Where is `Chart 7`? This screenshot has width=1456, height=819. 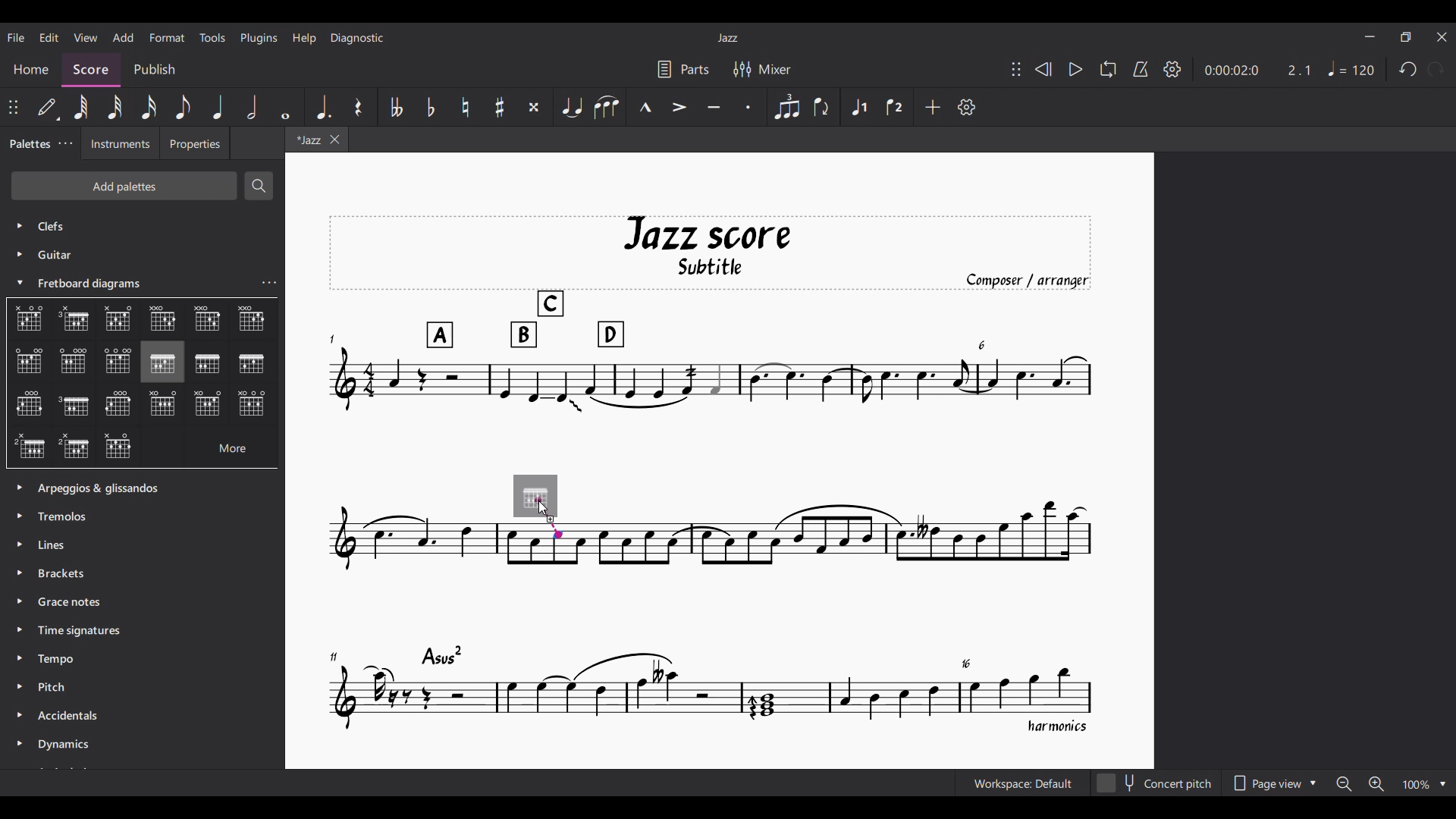 Chart 7 is located at coordinates (76, 362).